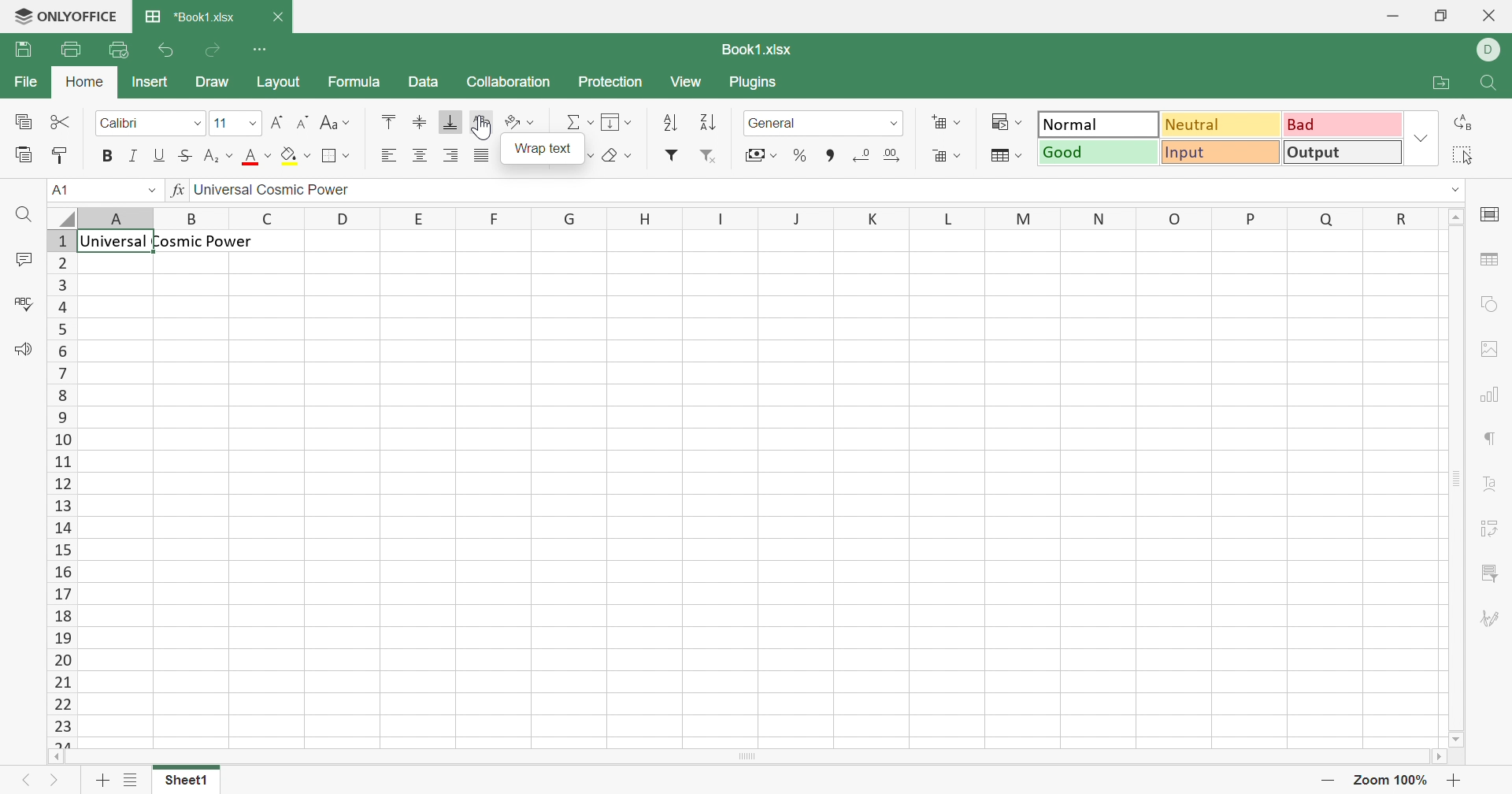 The image size is (1512, 794). Describe the element at coordinates (172, 240) in the screenshot. I see `Universal Cosmic Power` at that location.